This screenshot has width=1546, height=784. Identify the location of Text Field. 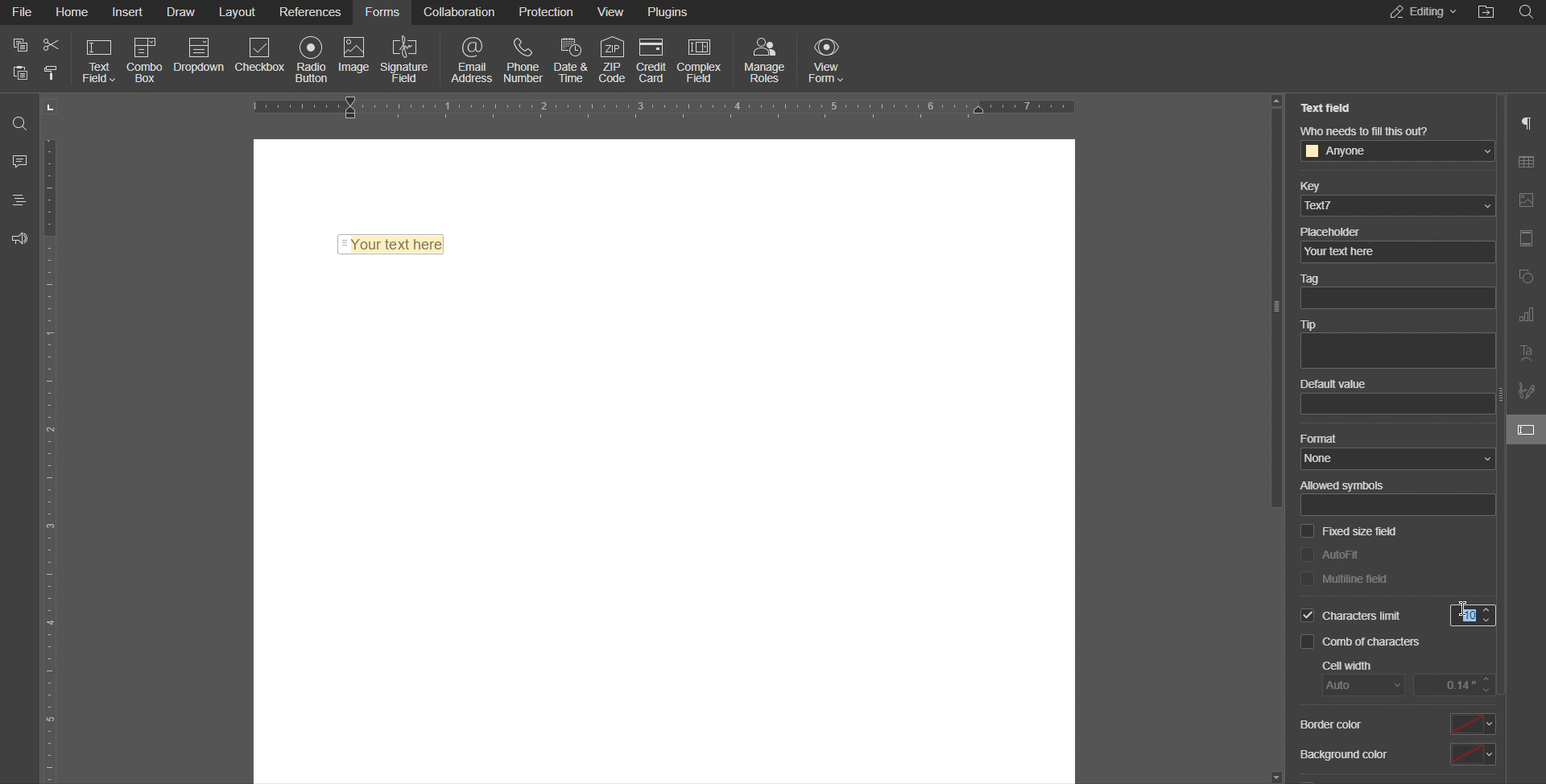
(1331, 108).